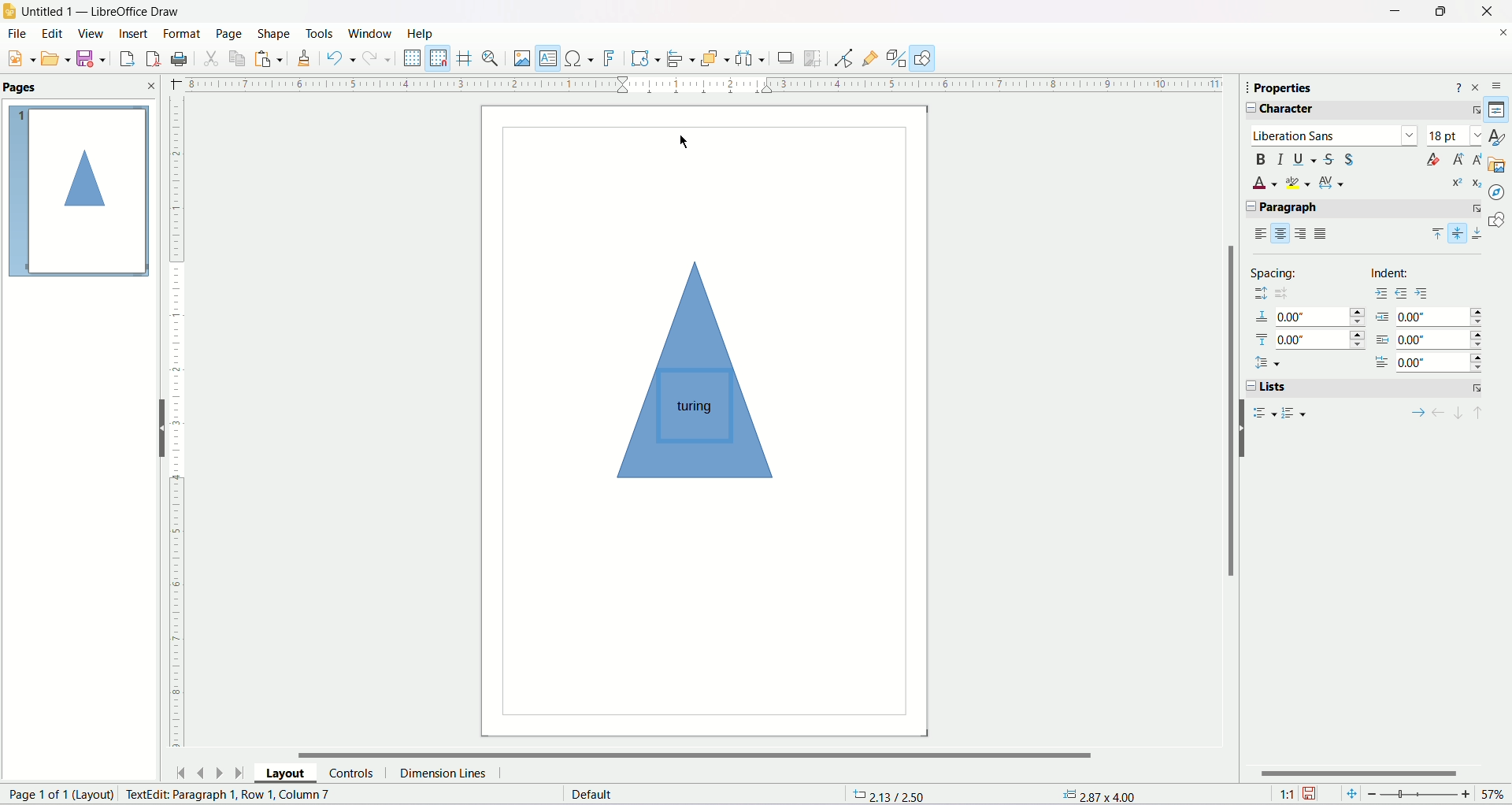 This screenshot has width=1512, height=805. I want to click on align left, so click(1260, 233).